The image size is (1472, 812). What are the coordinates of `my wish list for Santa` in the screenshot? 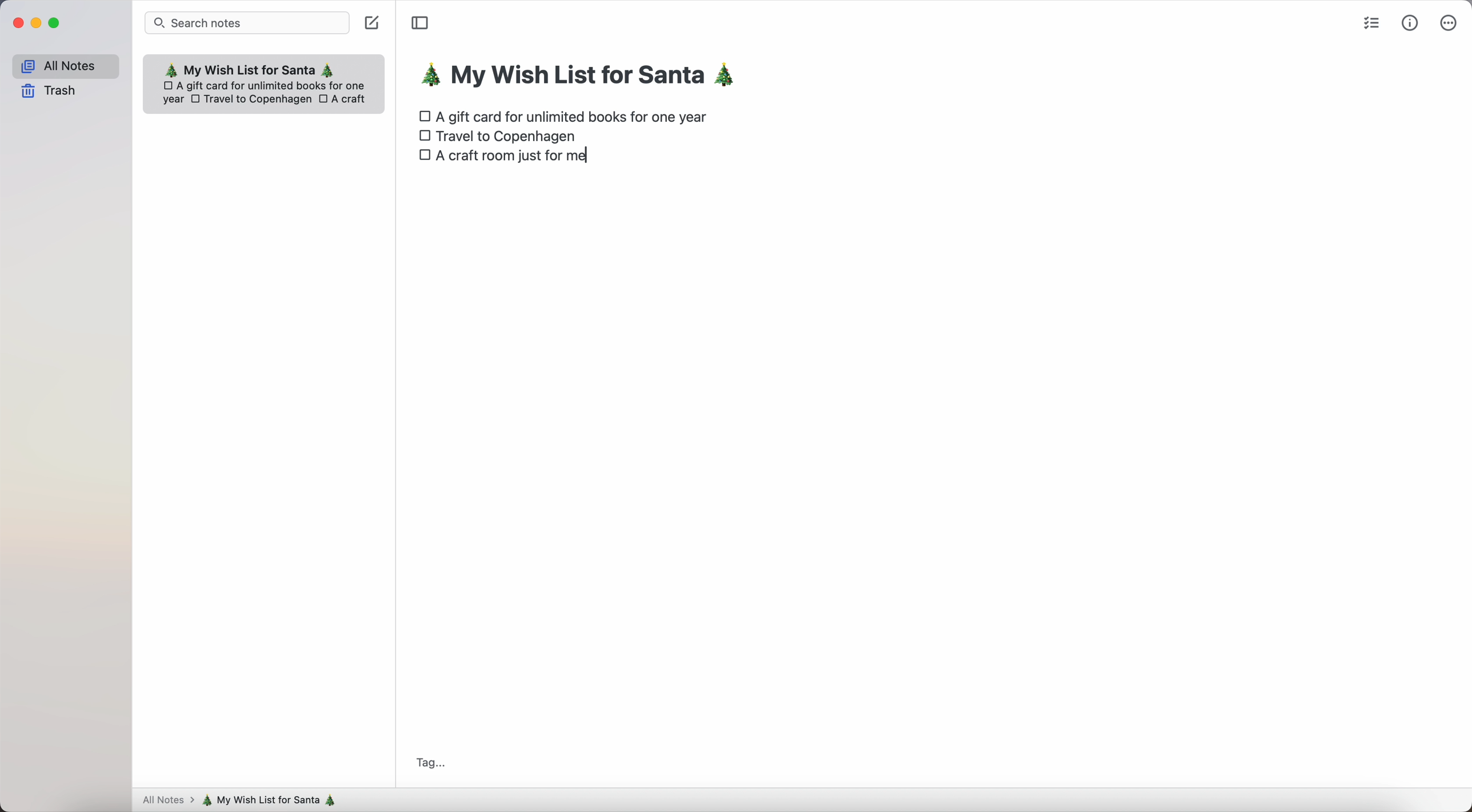 It's located at (585, 77).